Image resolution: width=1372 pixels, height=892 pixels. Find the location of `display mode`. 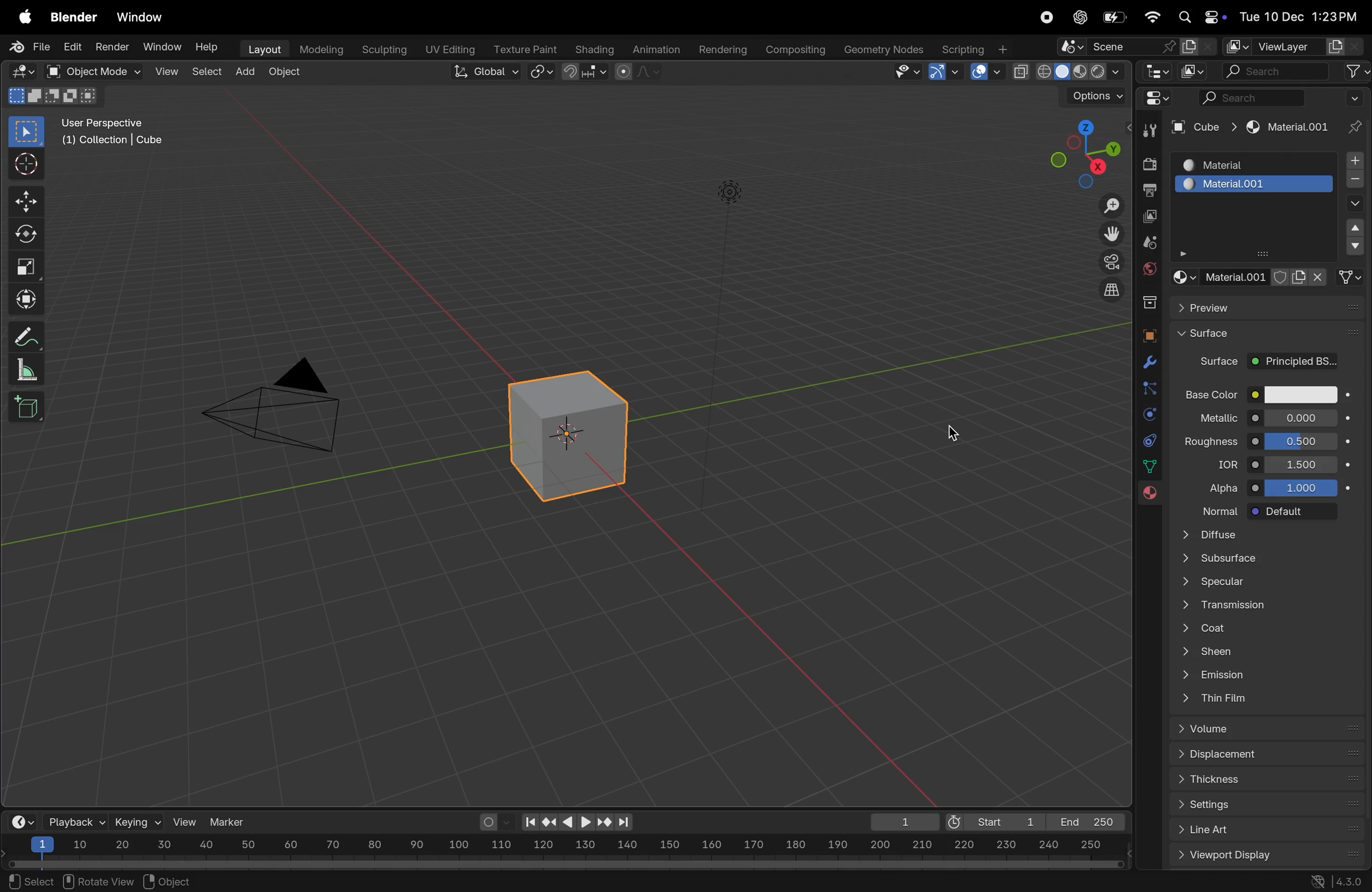

display mode is located at coordinates (1194, 71).